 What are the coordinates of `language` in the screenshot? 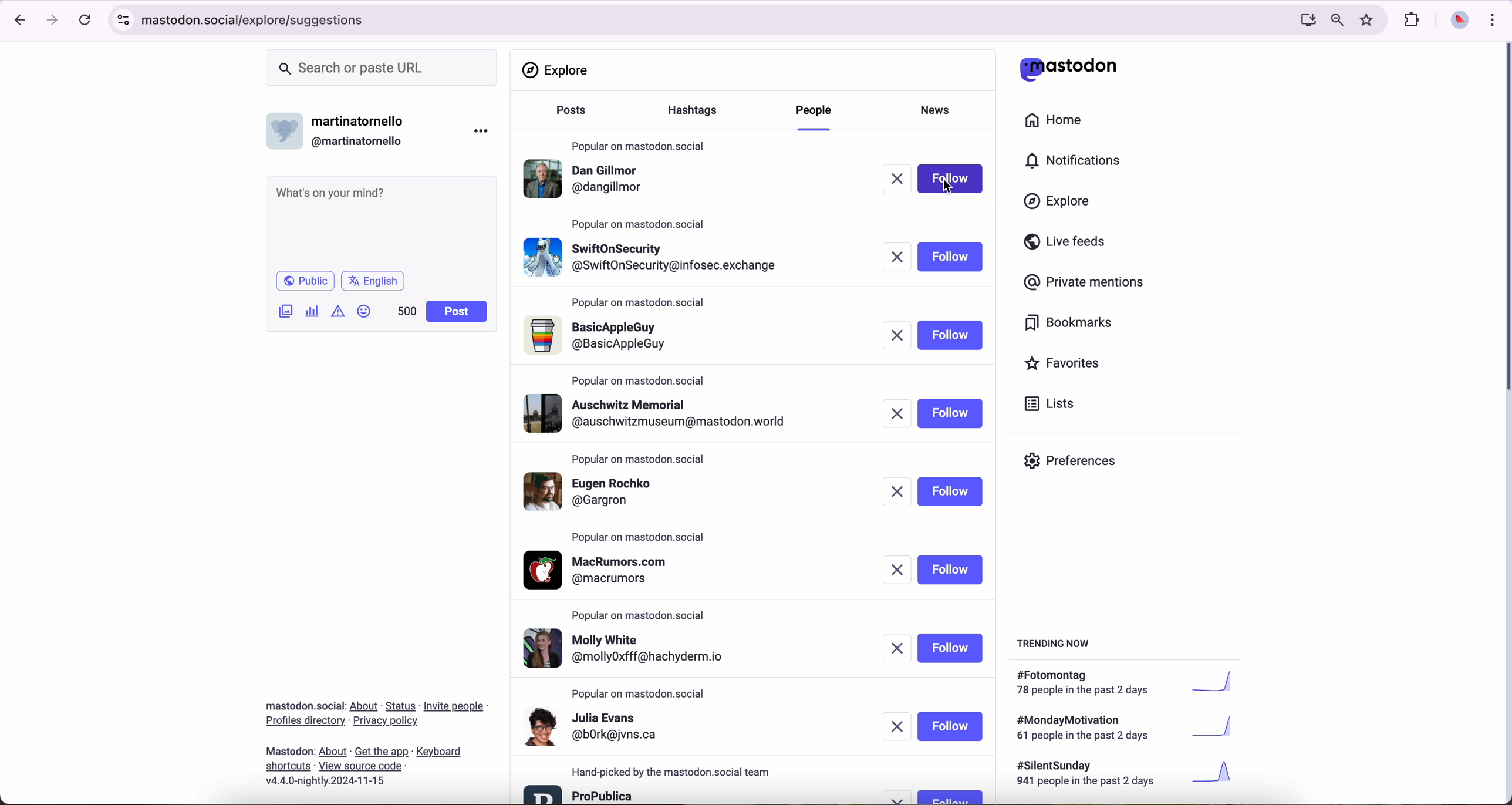 It's located at (373, 280).